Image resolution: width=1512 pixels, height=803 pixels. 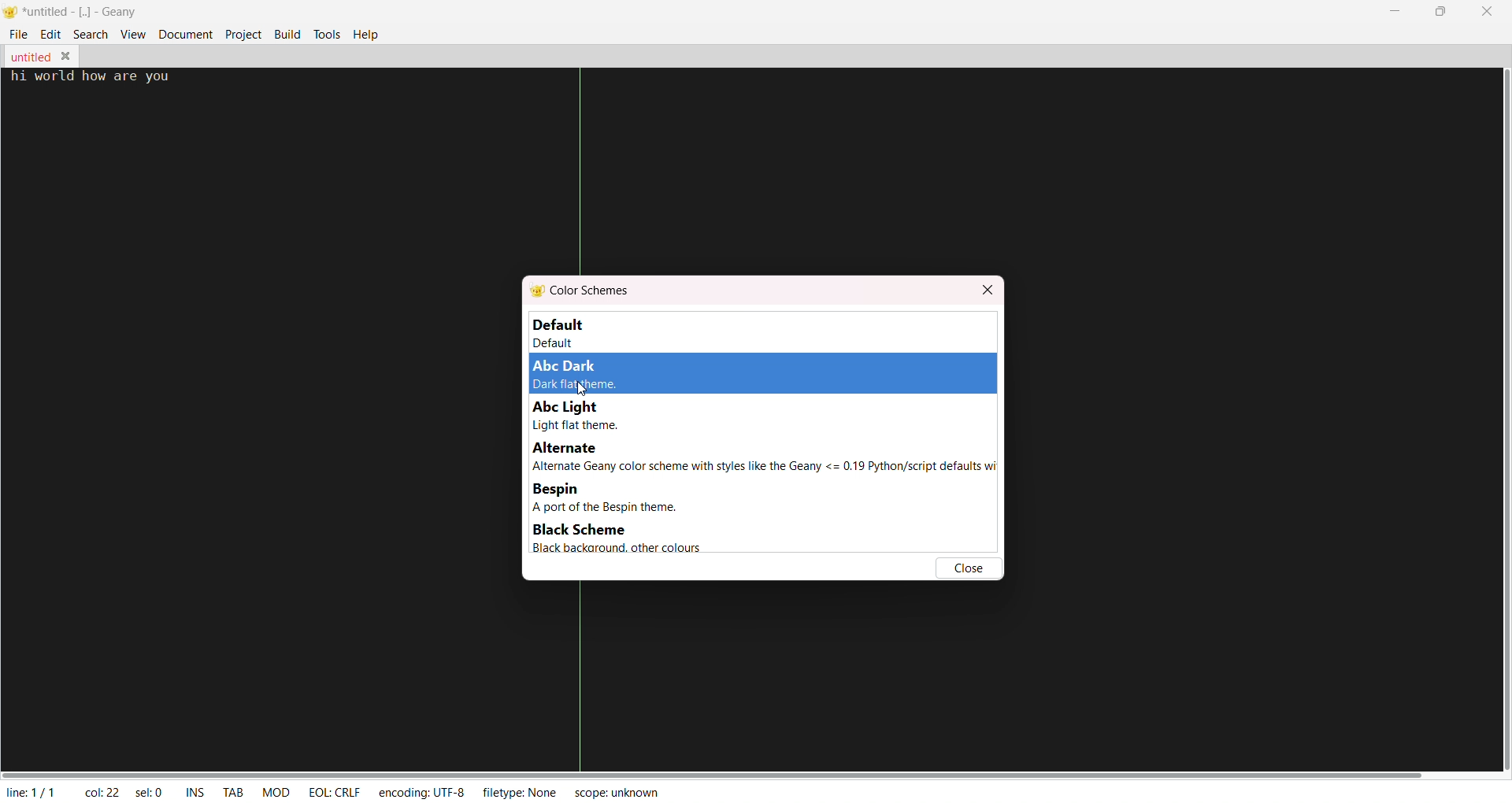 What do you see at coordinates (521, 790) in the screenshot?
I see `filetype:None` at bounding box center [521, 790].